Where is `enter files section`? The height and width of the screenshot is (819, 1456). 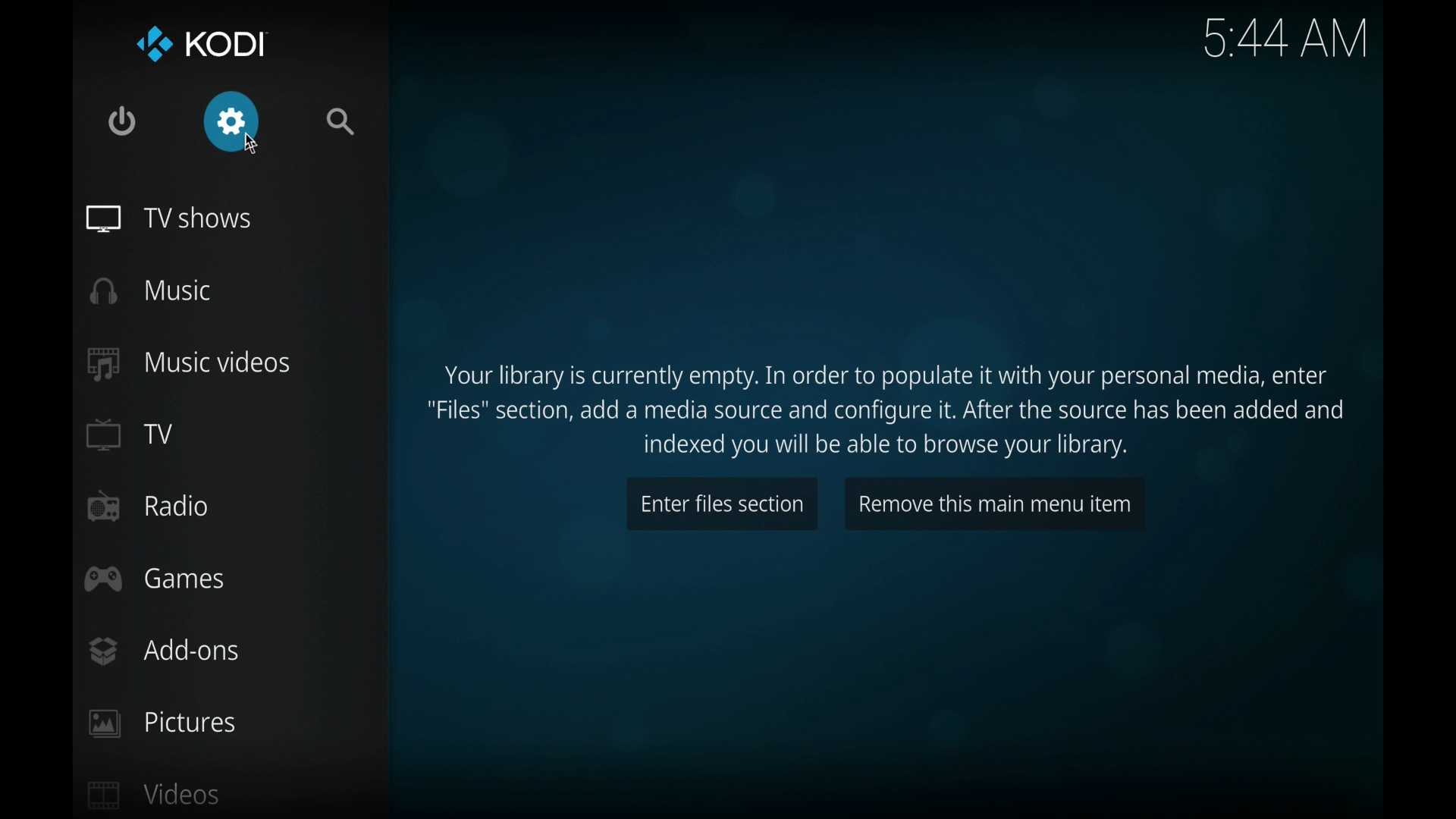
enter files section is located at coordinates (720, 503).